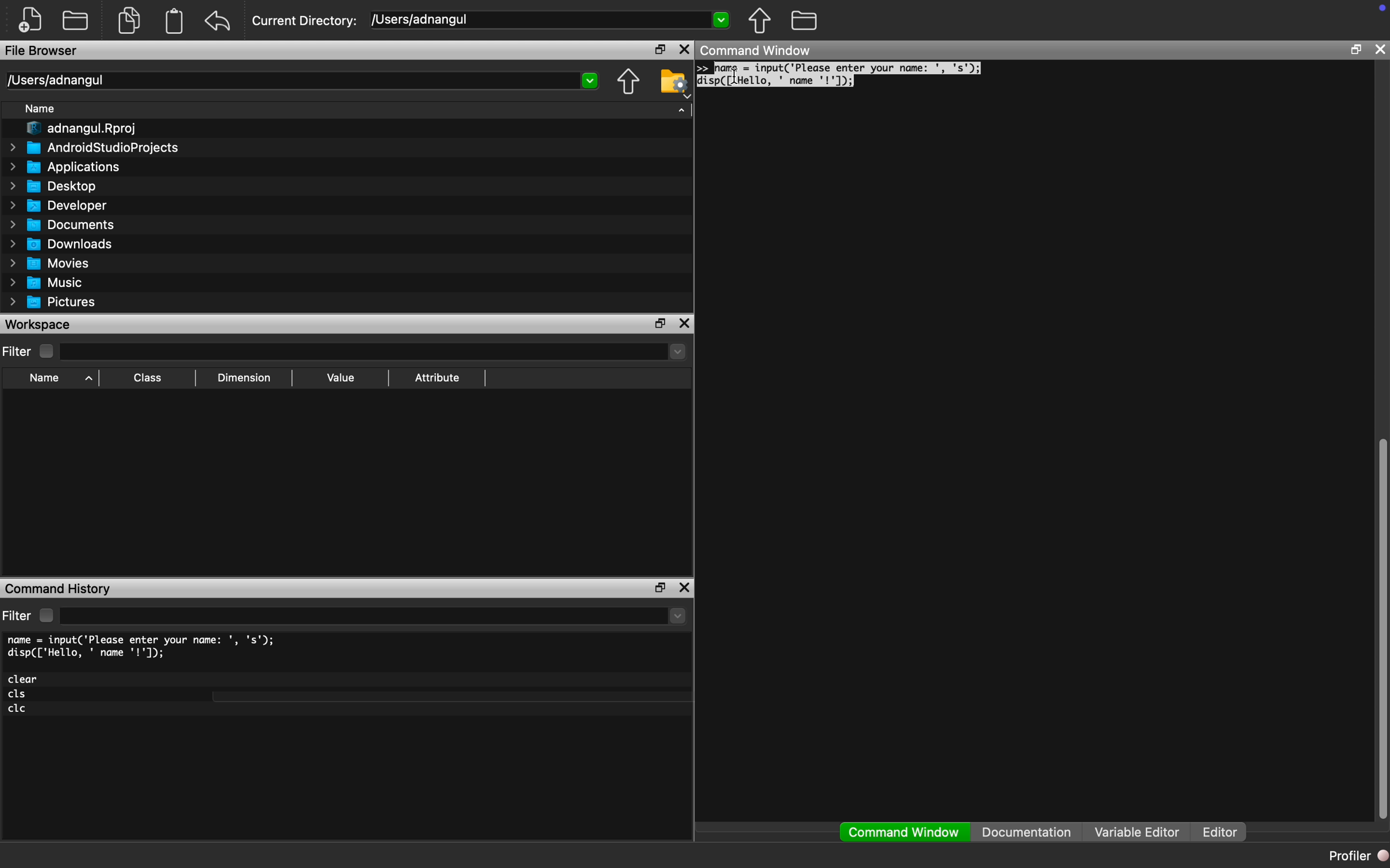 This screenshot has width=1390, height=868. What do you see at coordinates (1137, 831) in the screenshot?
I see `Variable Editor` at bounding box center [1137, 831].